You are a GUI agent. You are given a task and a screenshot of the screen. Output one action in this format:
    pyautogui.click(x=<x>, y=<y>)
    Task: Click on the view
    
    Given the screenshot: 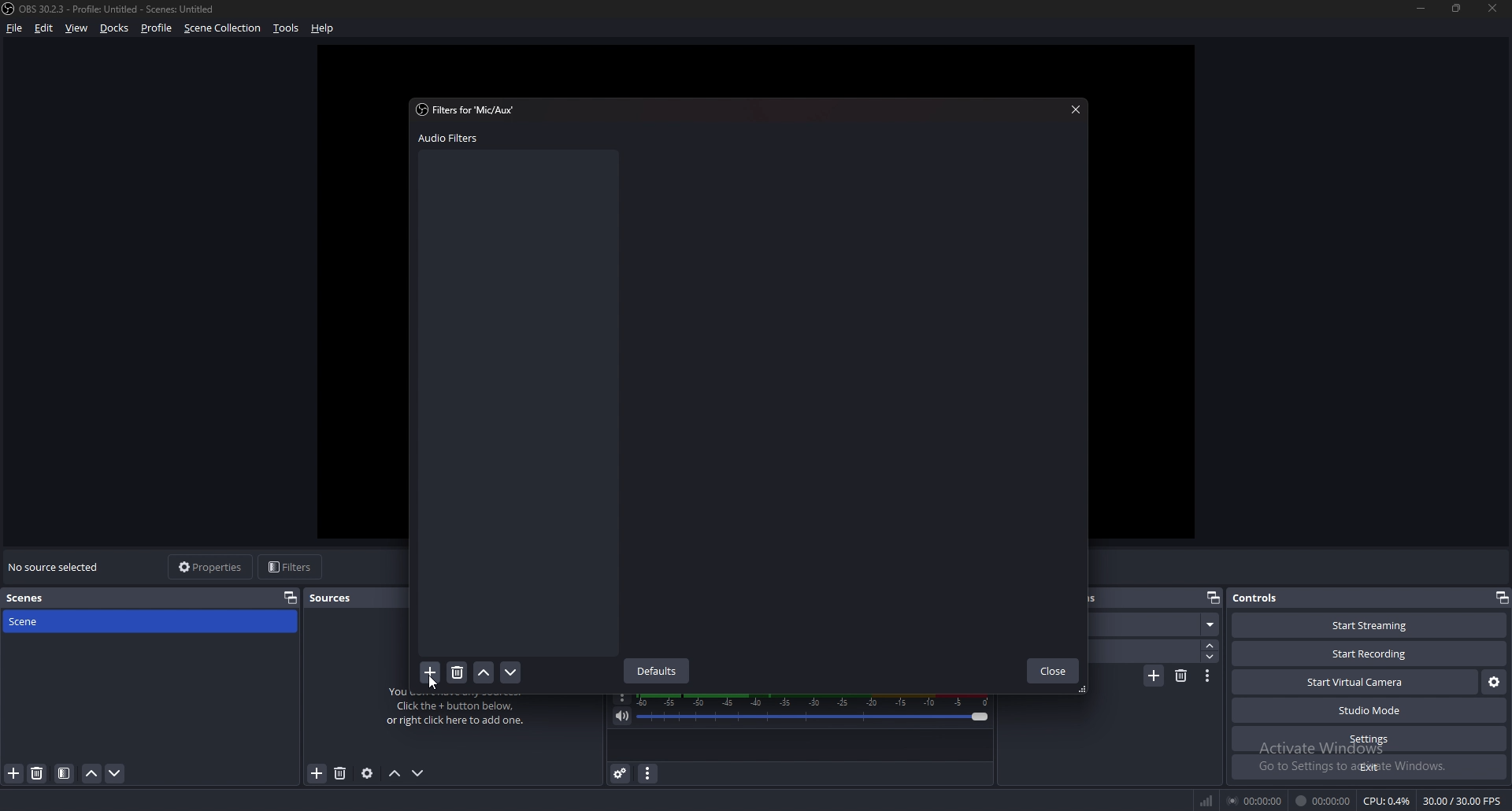 What is the action you would take?
    pyautogui.click(x=76, y=28)
    